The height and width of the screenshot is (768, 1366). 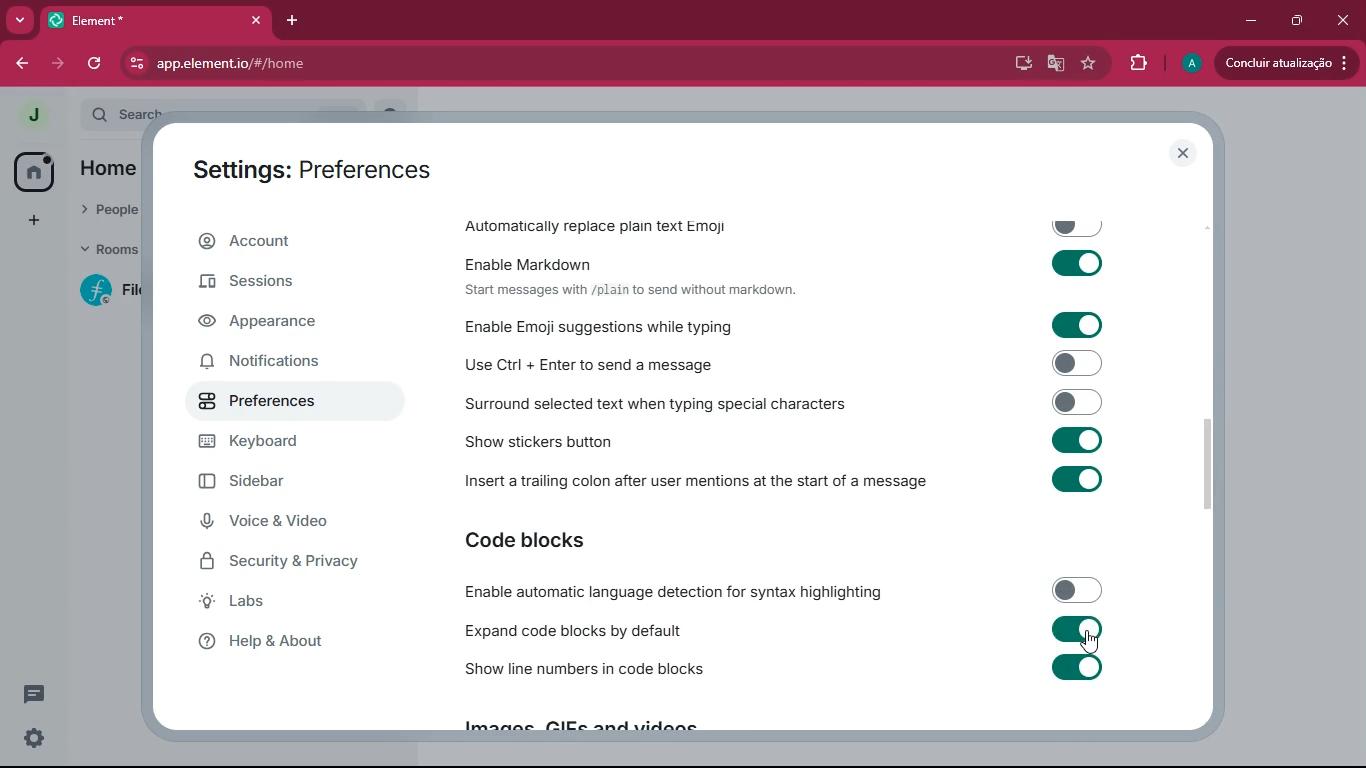 I want to click on extensions, so click(x=1134, y=63).